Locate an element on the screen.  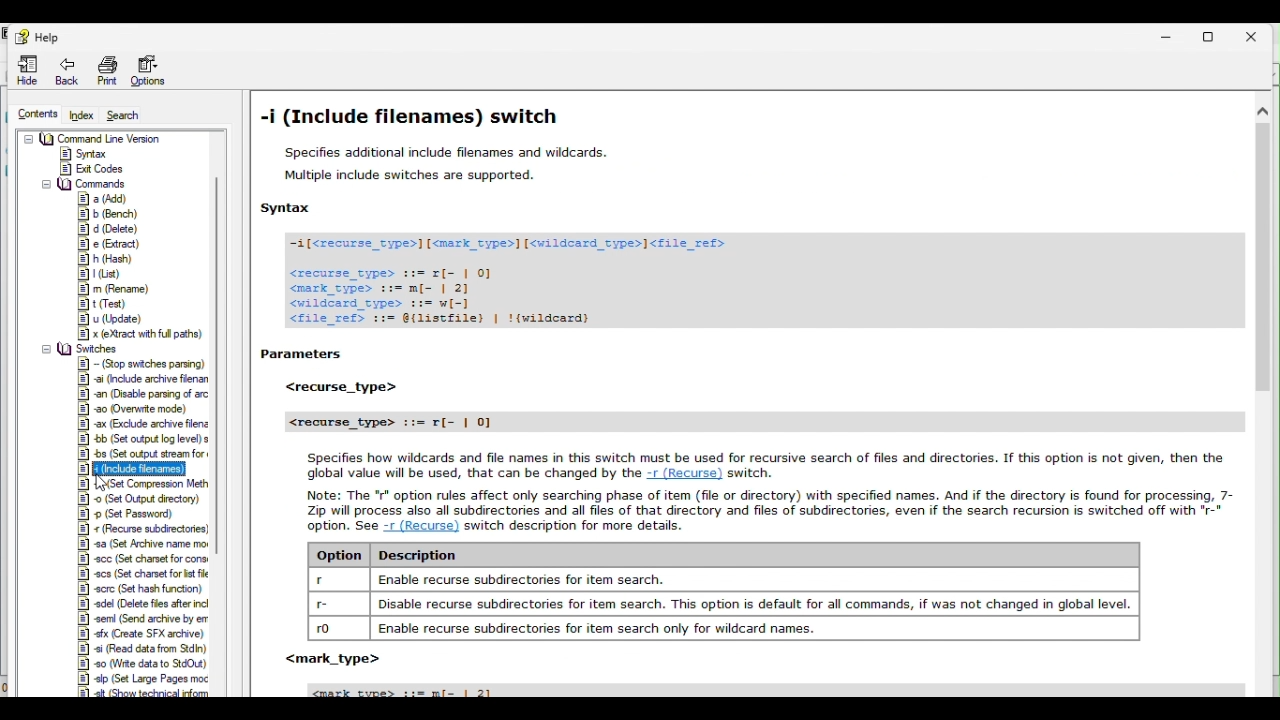
Close  is located at coordinates (1255, 36).